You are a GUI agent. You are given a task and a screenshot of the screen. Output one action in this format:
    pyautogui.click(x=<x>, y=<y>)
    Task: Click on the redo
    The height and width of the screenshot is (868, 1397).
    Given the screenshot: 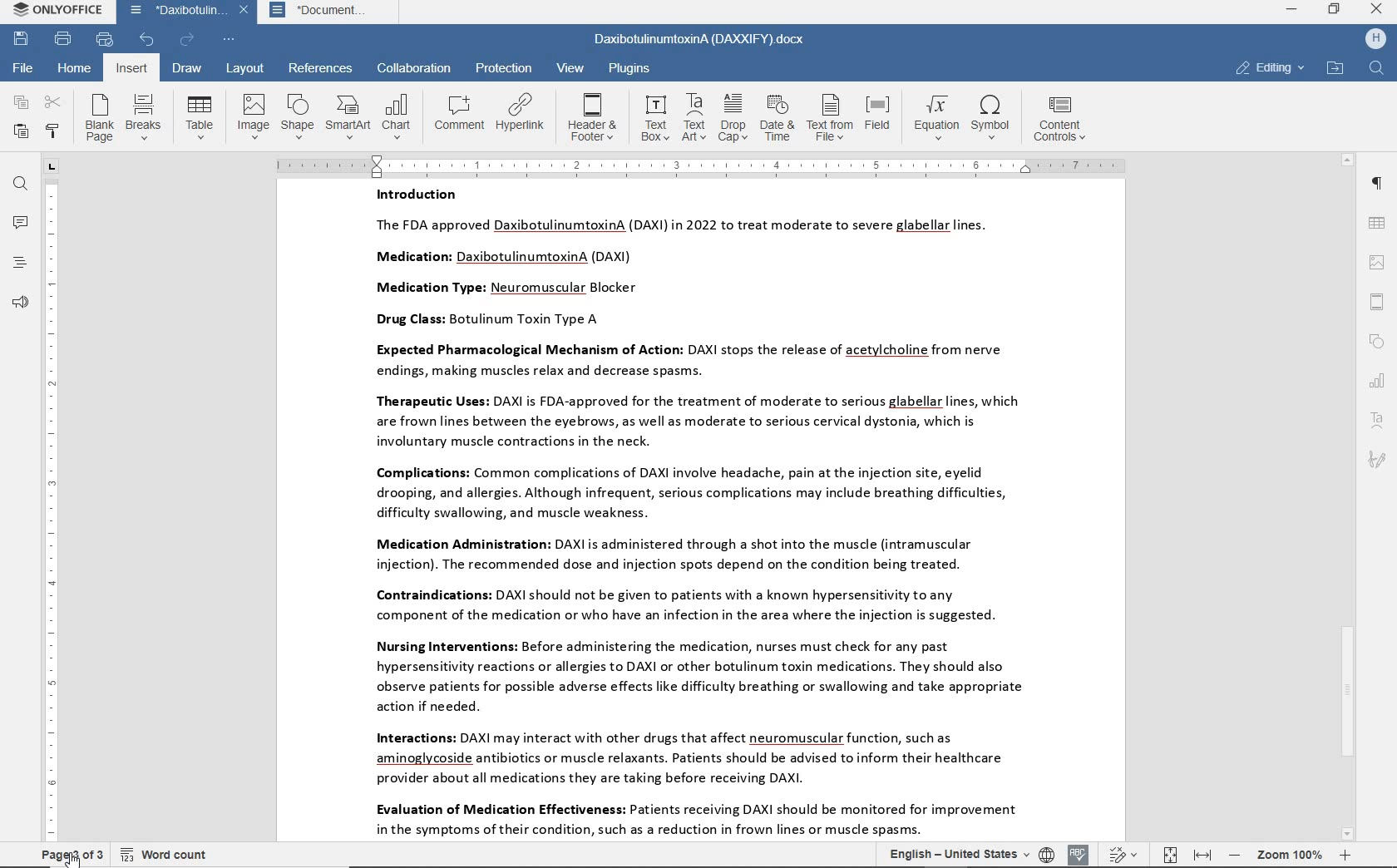 What is the action you would take?
    pyautogui.click(x=187, y=39)
    